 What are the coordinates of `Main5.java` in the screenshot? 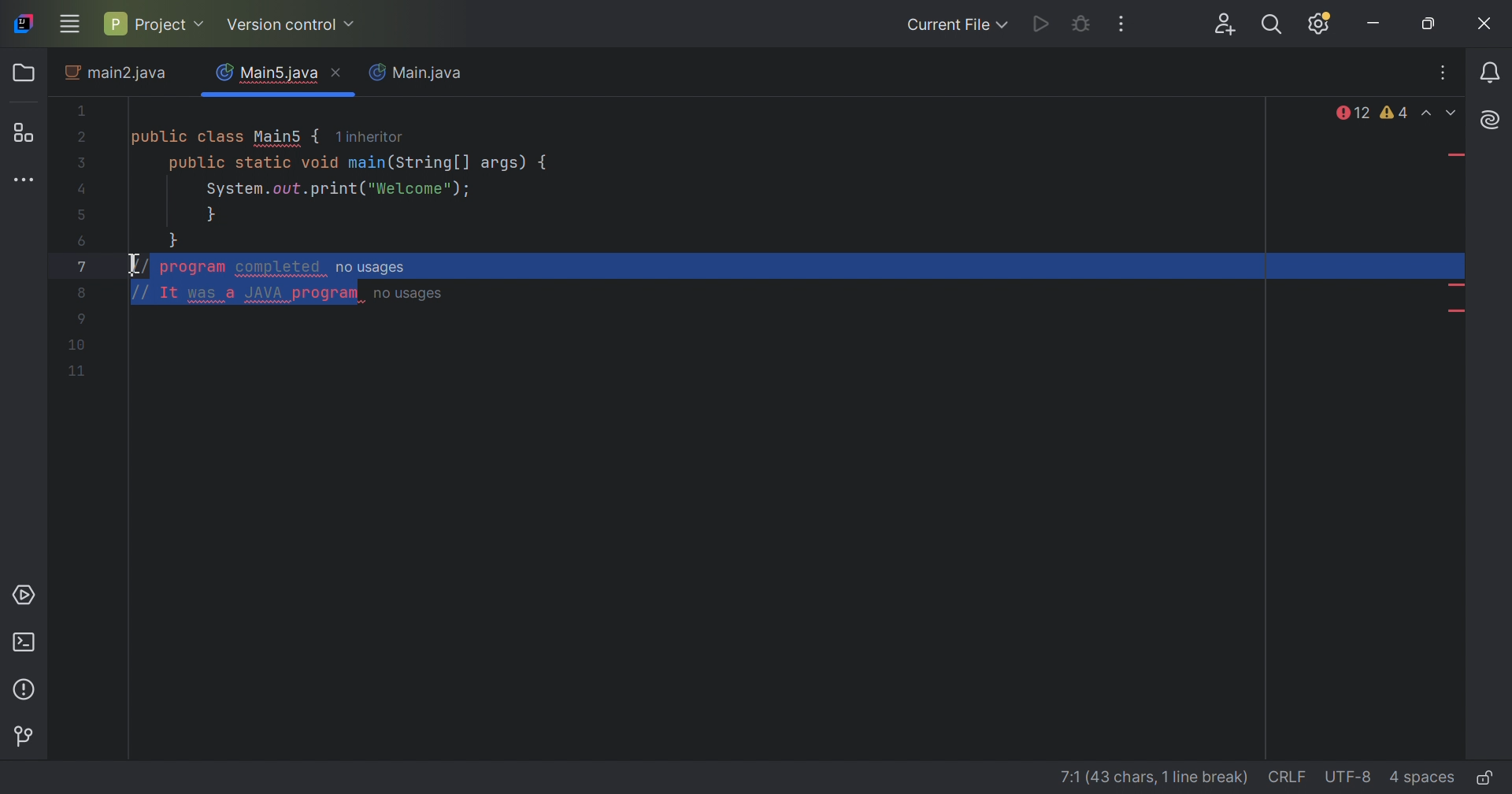 It's located at (267, 70).